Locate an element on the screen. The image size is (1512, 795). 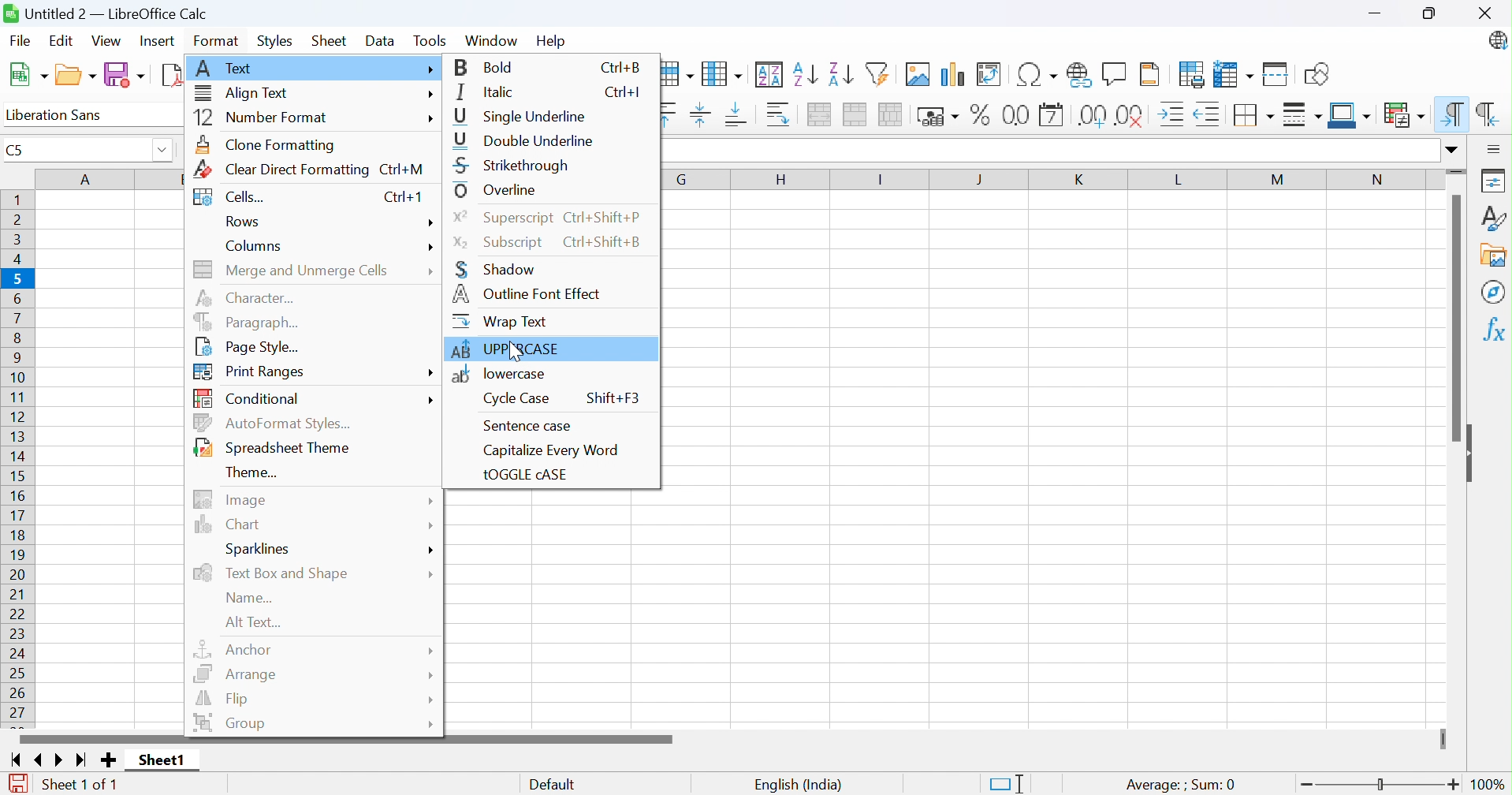
Slider is located at coordinates (1383, 784).